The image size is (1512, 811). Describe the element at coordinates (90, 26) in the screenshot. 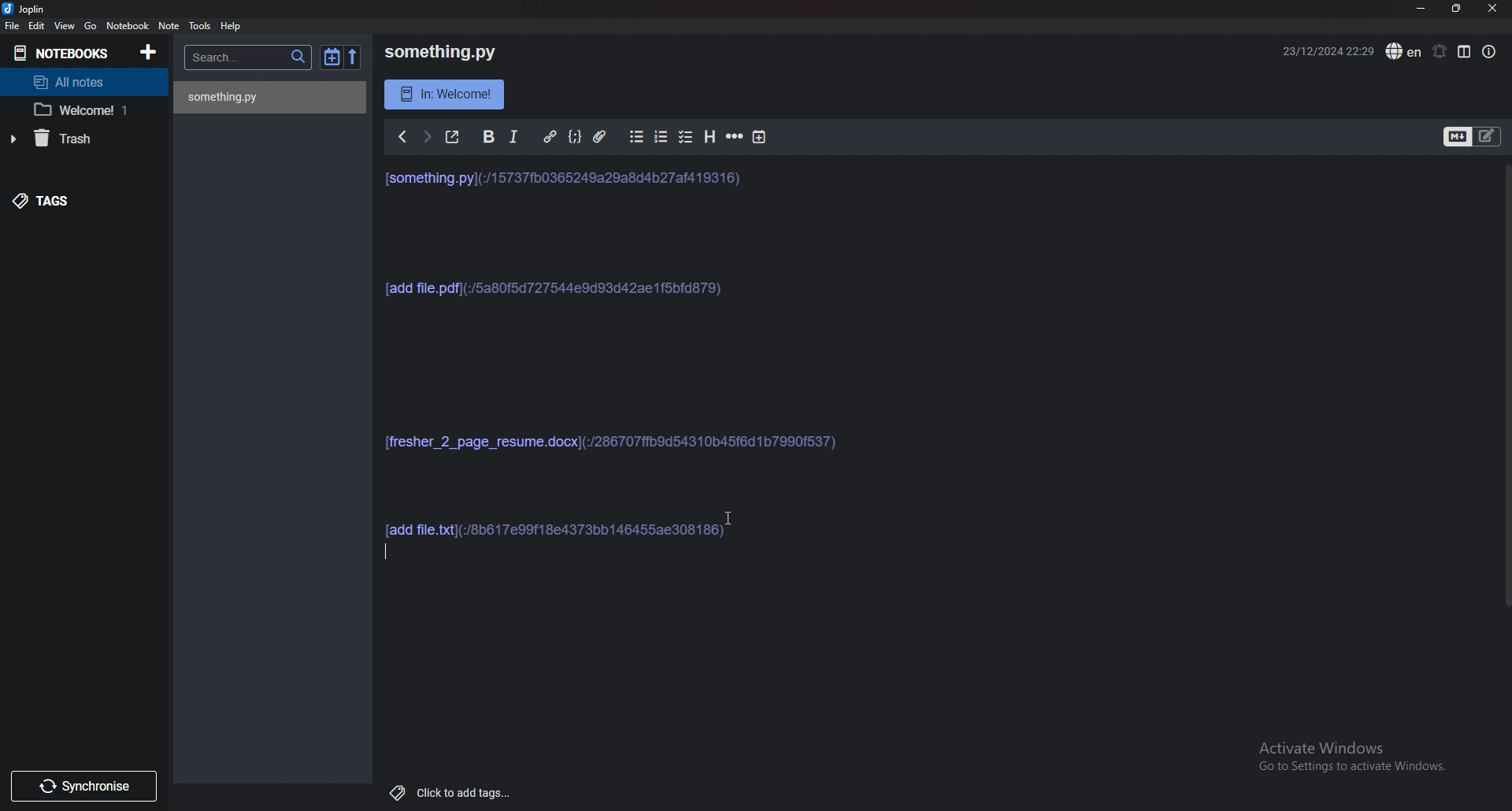

I see `go` at that location.